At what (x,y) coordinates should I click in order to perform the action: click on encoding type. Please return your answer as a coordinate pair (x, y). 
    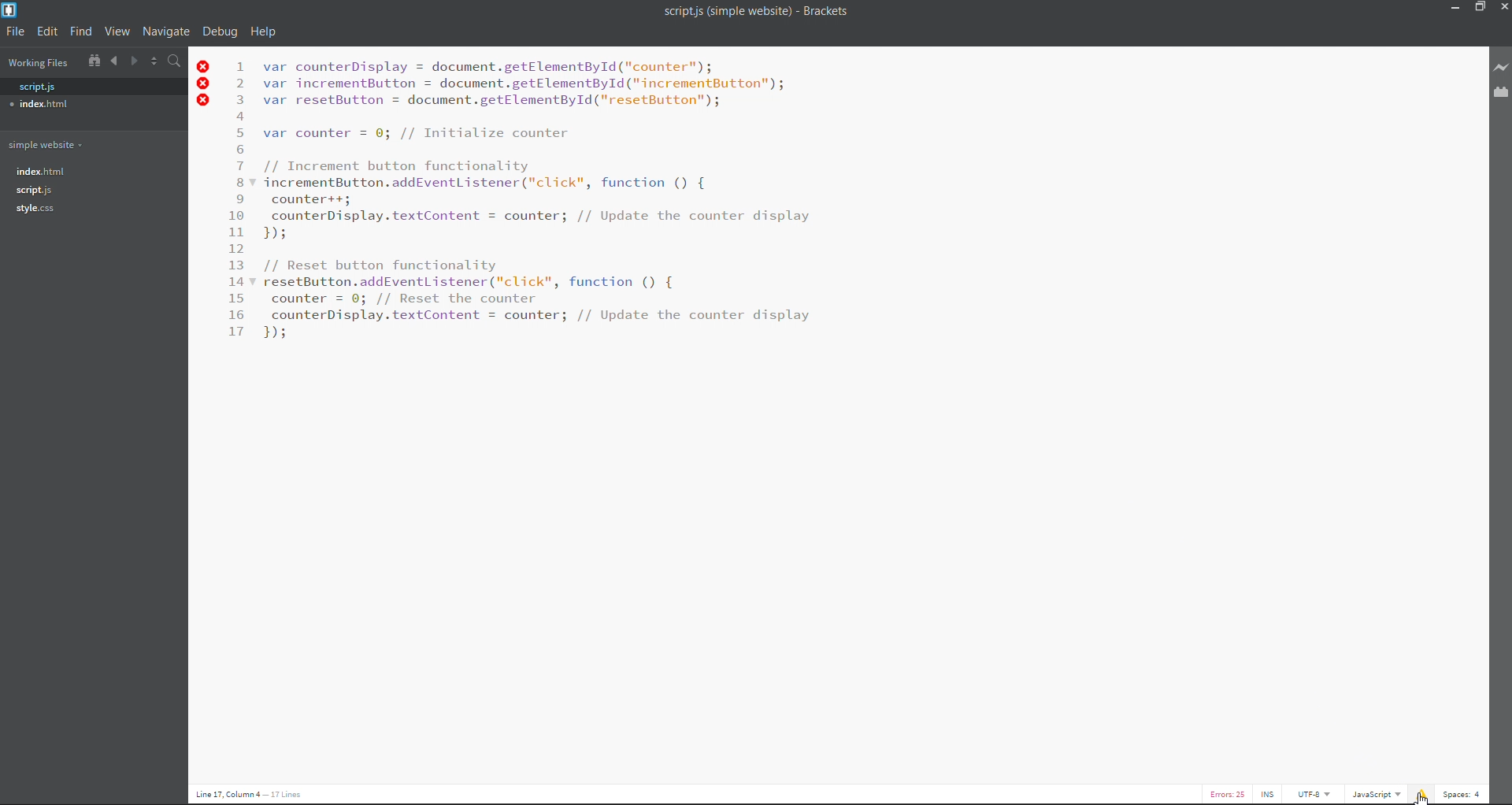
    Looking at the image, I should click on (1317, 795).